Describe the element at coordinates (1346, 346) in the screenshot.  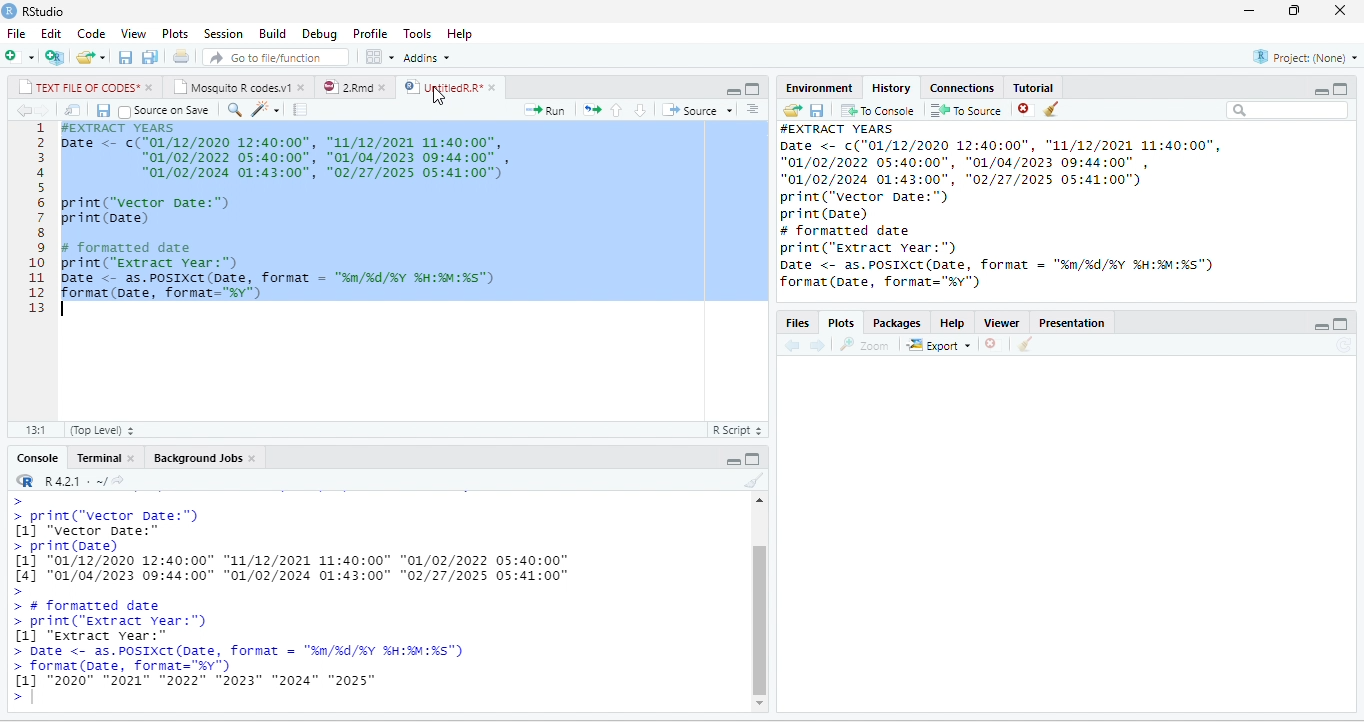
I see `refresh` at that location.